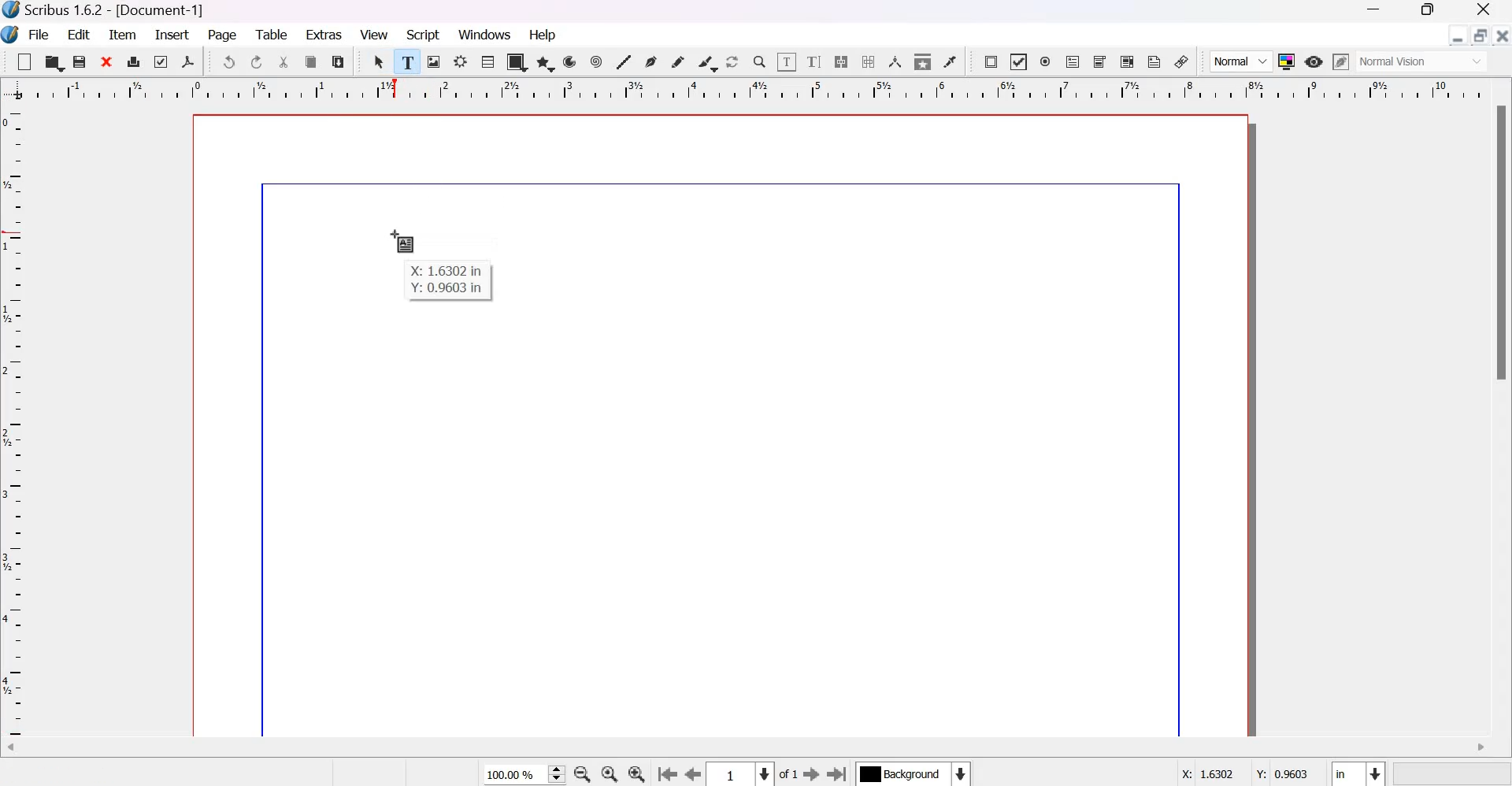  What do you see at coordinates (24, 61) in the screenshot?
I see `new` at bounding box center [24, 61].